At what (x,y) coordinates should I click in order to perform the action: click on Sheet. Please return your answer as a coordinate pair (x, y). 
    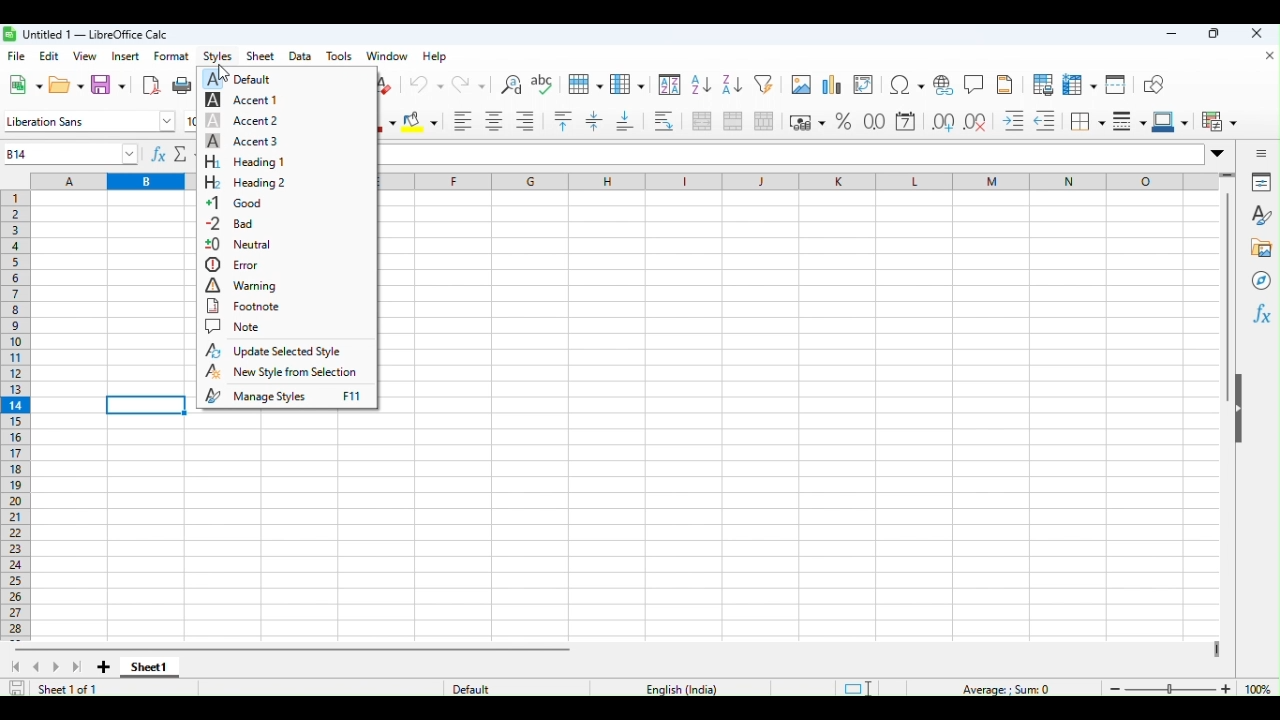
    Looking at the image, I should click on (262, 55).